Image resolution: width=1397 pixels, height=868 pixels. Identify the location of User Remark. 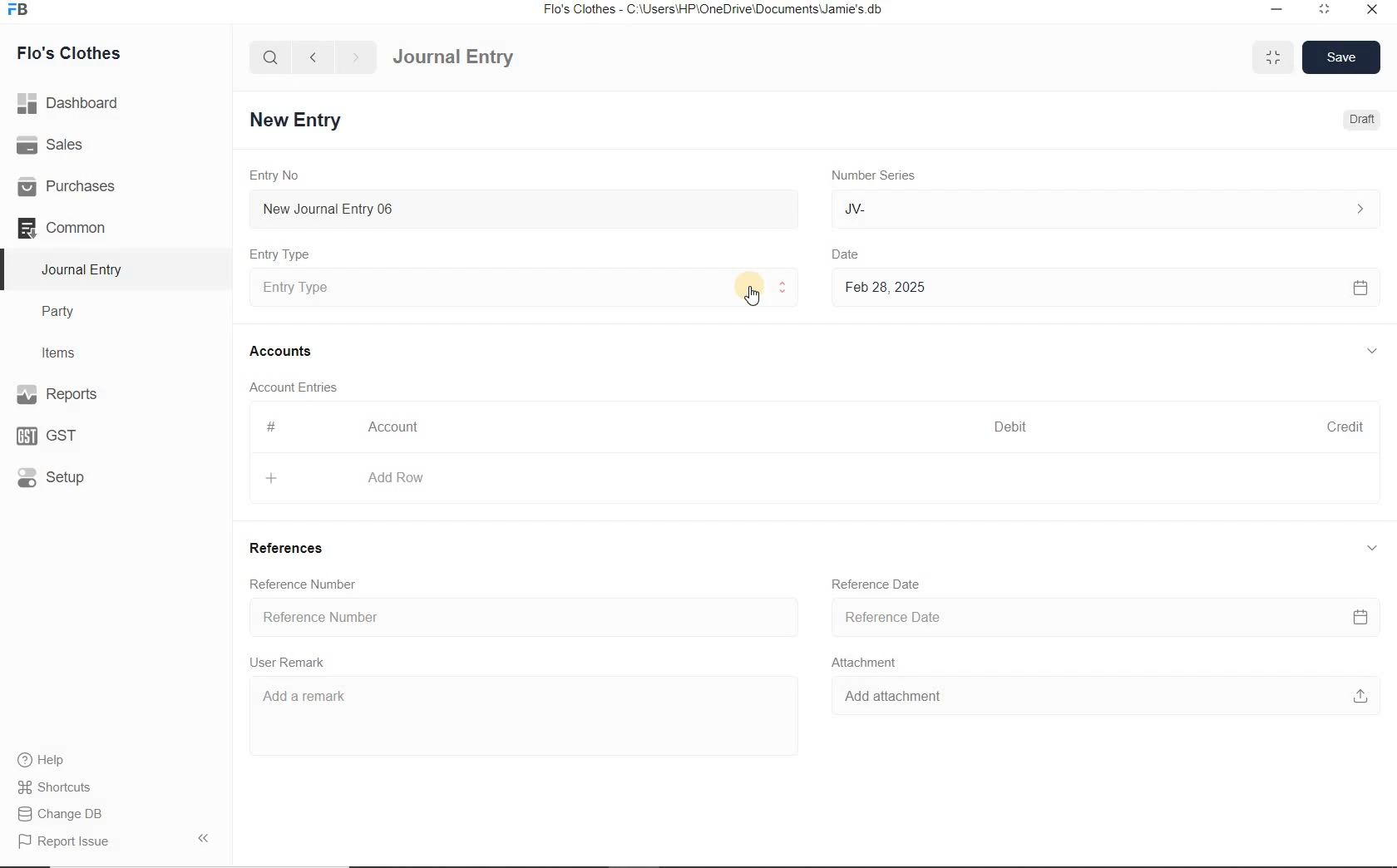
(292, 662).